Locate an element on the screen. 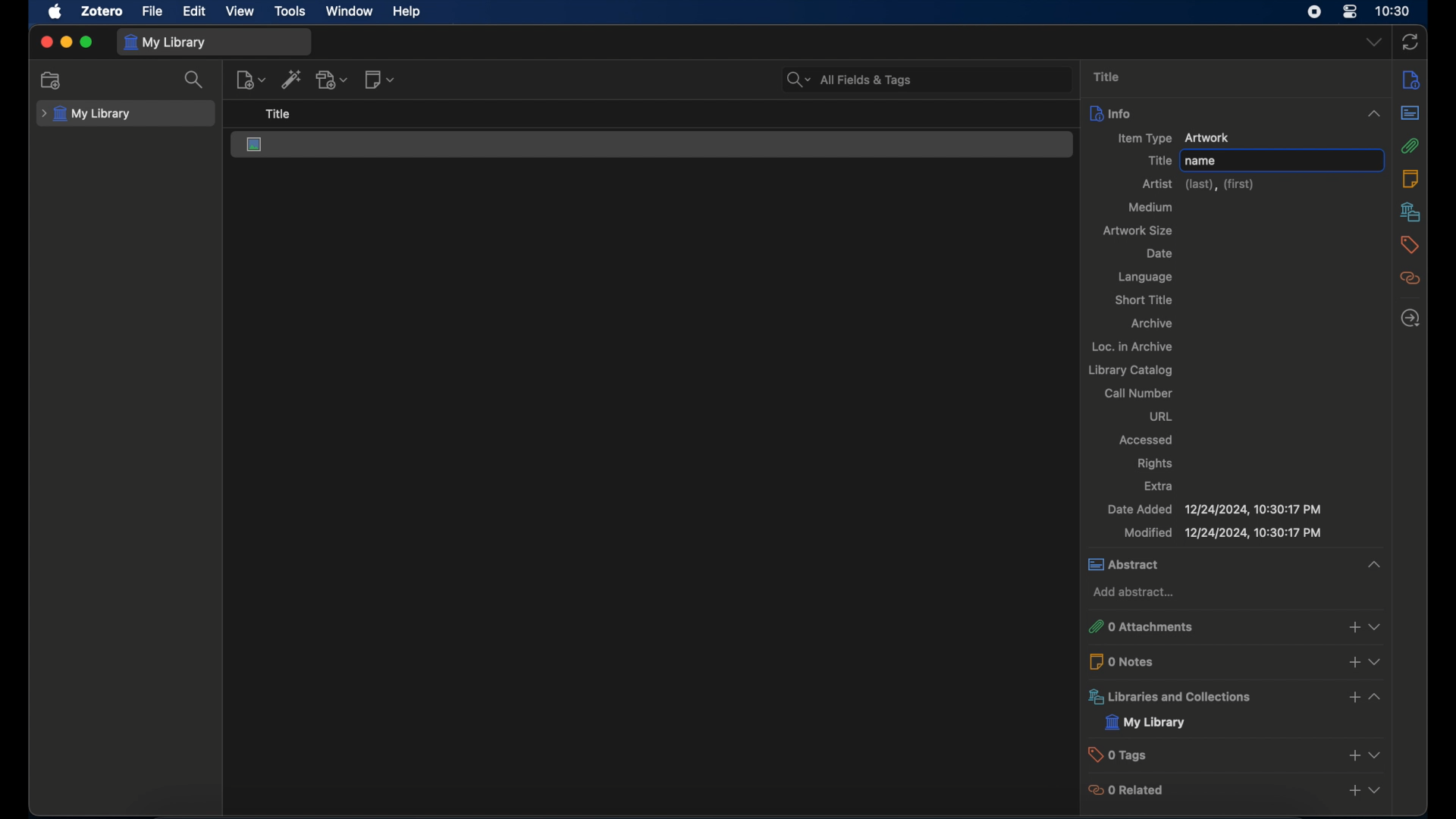  title is located at coordinates (1159, 161).